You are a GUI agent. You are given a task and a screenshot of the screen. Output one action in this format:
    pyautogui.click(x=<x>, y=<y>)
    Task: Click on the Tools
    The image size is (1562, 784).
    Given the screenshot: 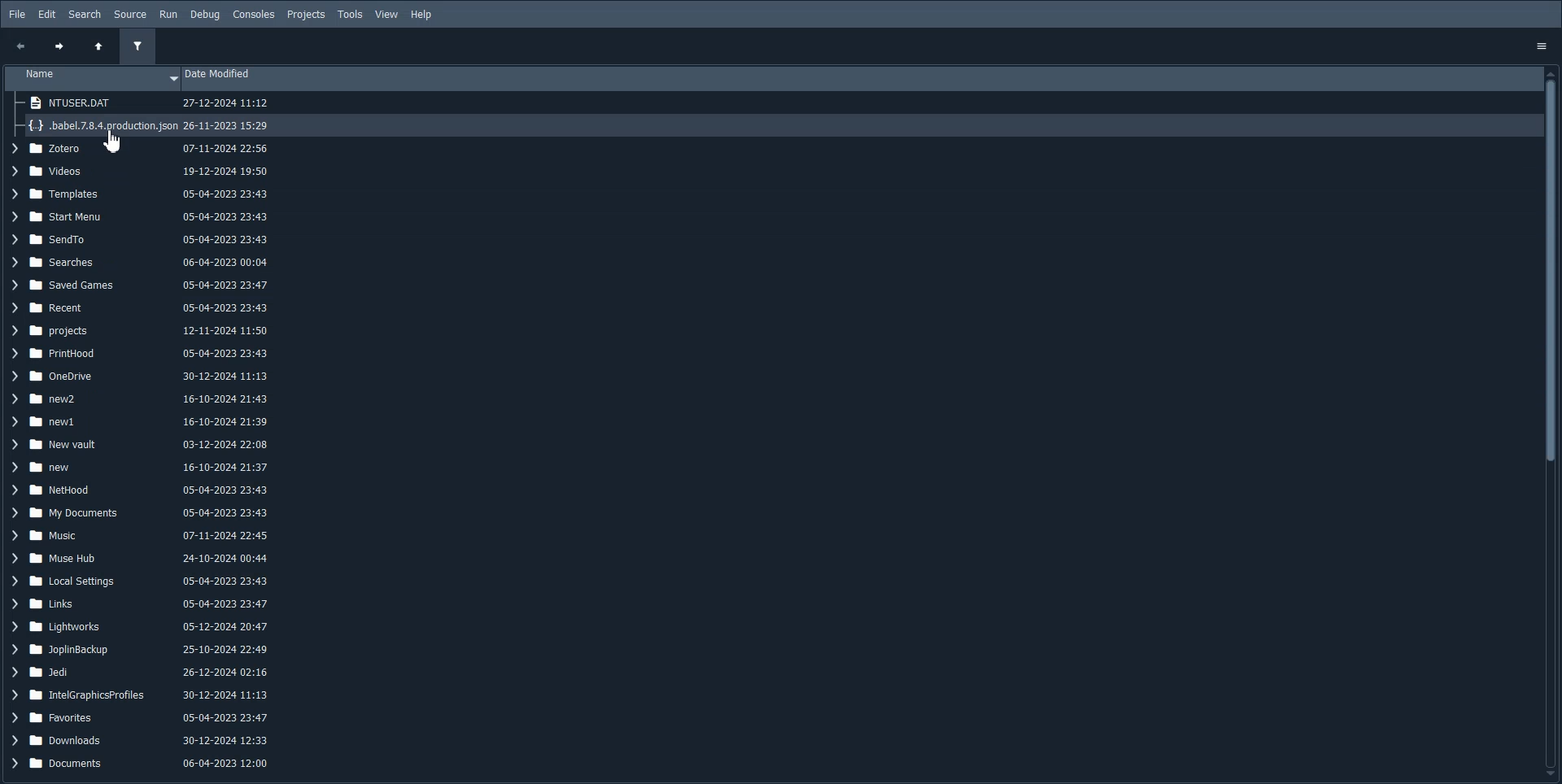 What is the action you would take?
    pyautogui.click(x=351, y=15)
    